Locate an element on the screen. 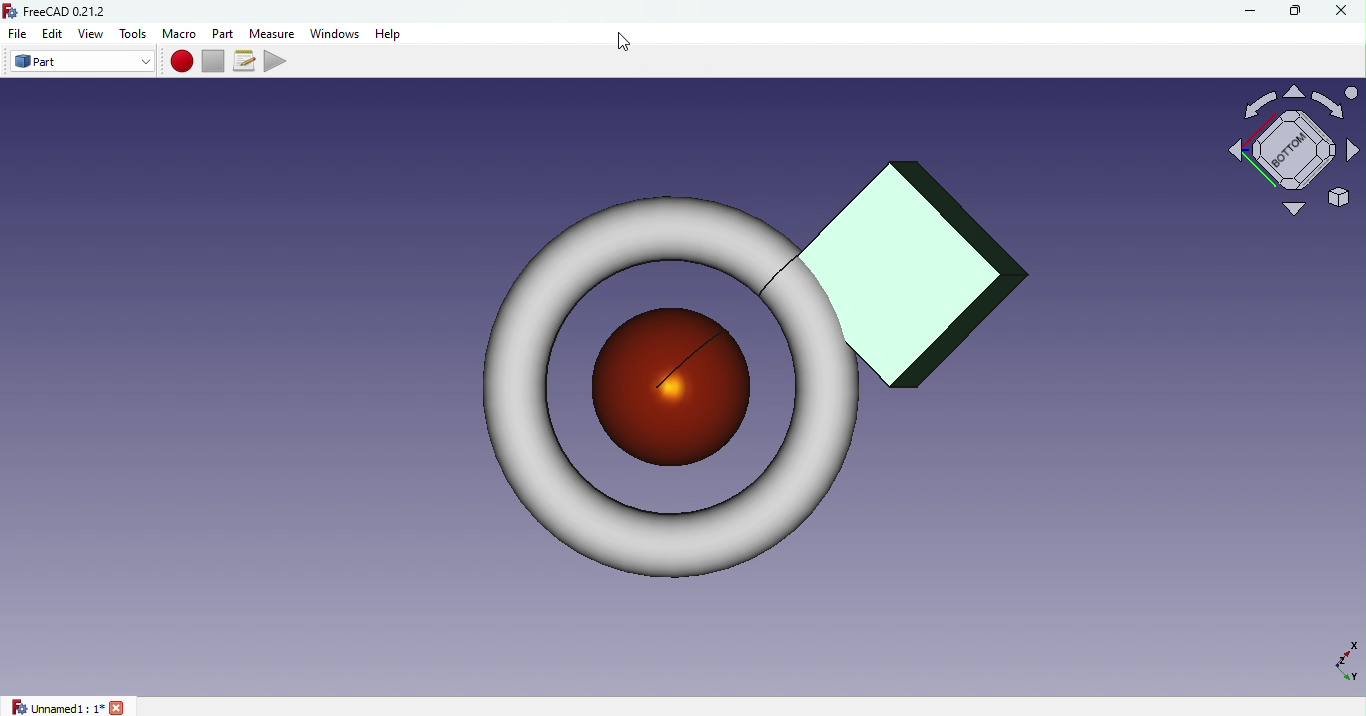 Image resolution: width=1366 pixels, height=716 pixels. Macro recording is located at coordinates (180, 62).